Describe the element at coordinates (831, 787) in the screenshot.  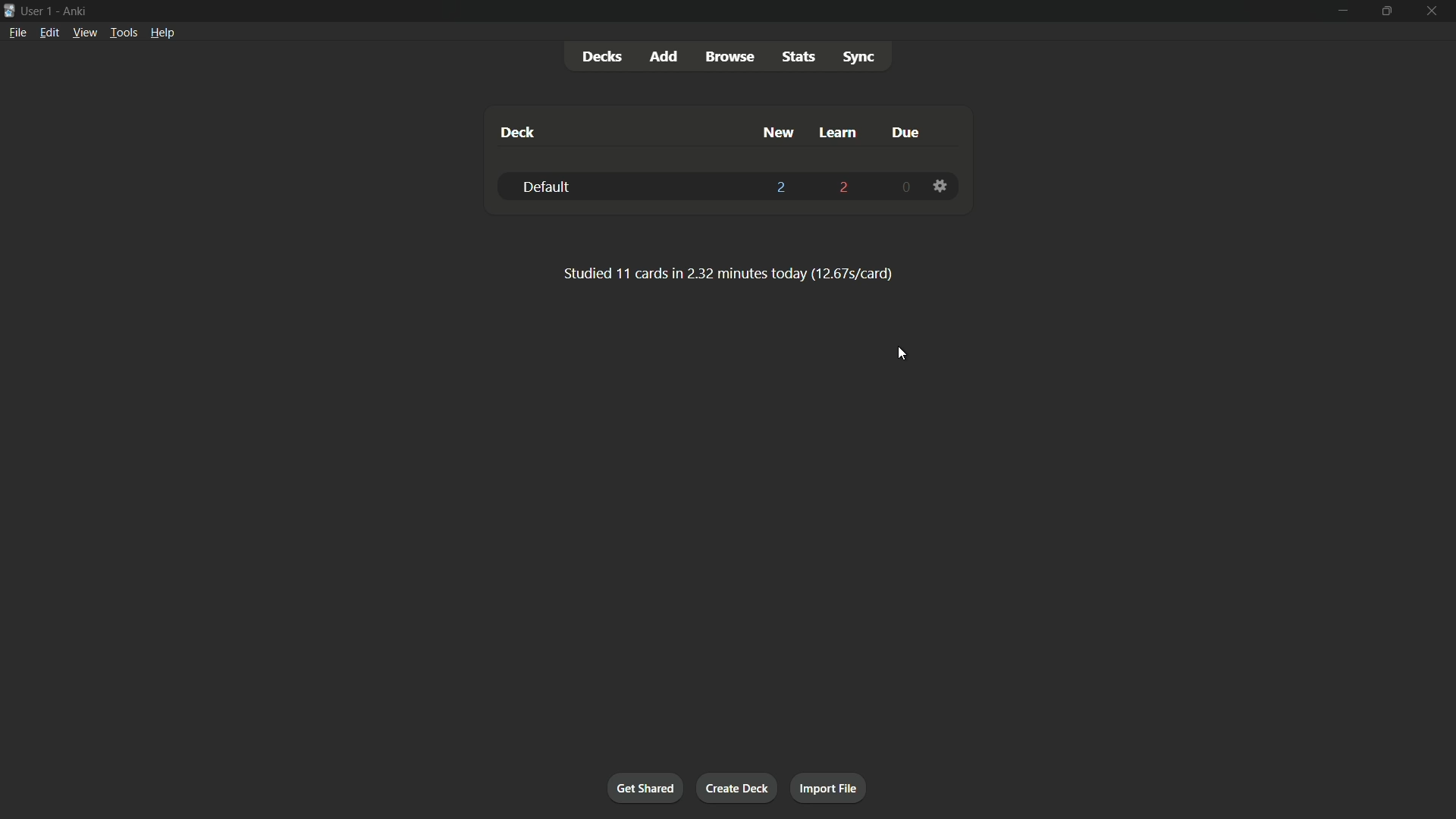
I see `import file` at that location.